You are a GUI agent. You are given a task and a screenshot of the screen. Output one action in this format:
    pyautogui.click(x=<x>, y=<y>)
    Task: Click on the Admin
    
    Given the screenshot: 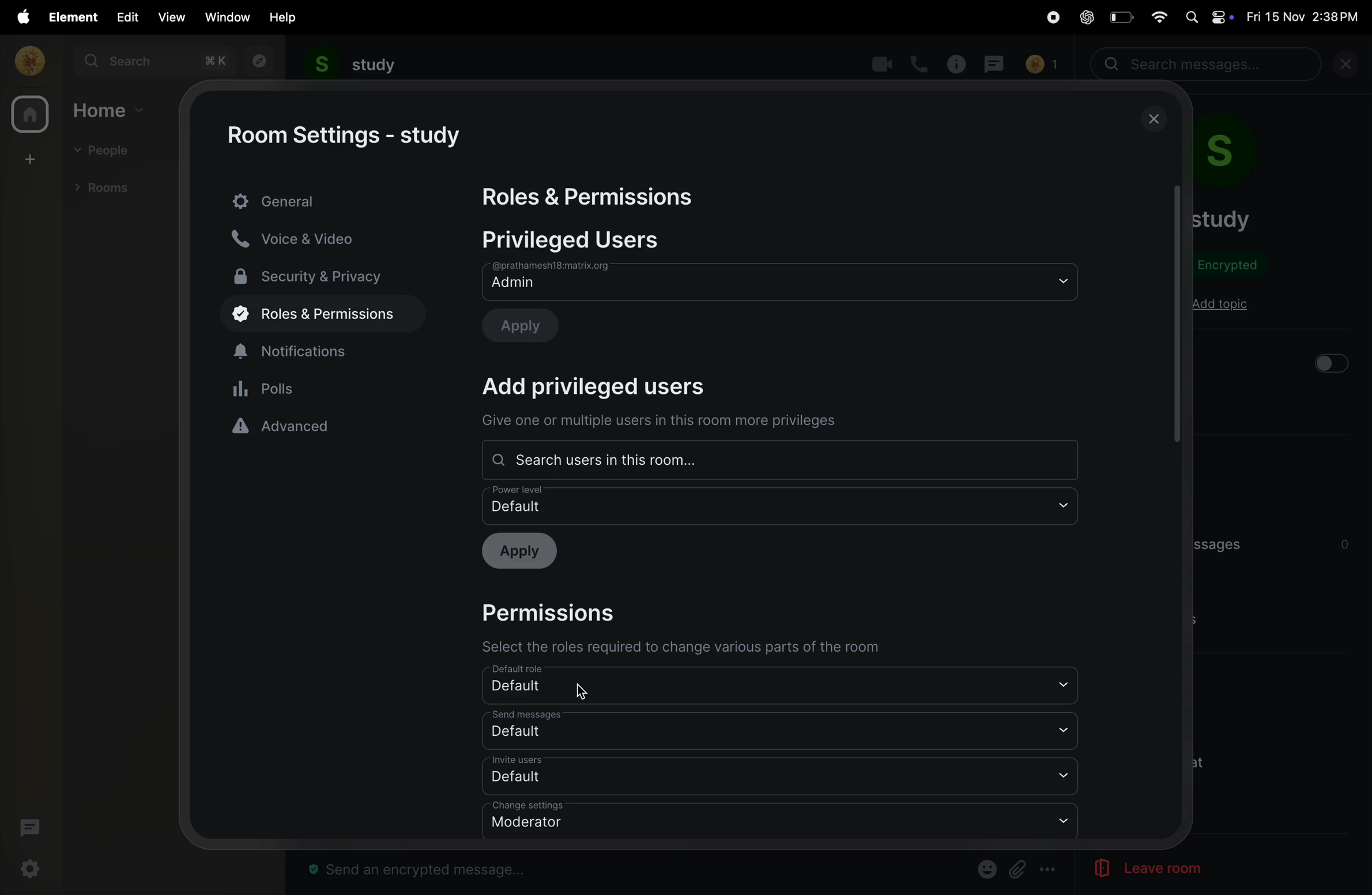 What is the action you would take?
    pyautogui.click(x=780, y=281)
    